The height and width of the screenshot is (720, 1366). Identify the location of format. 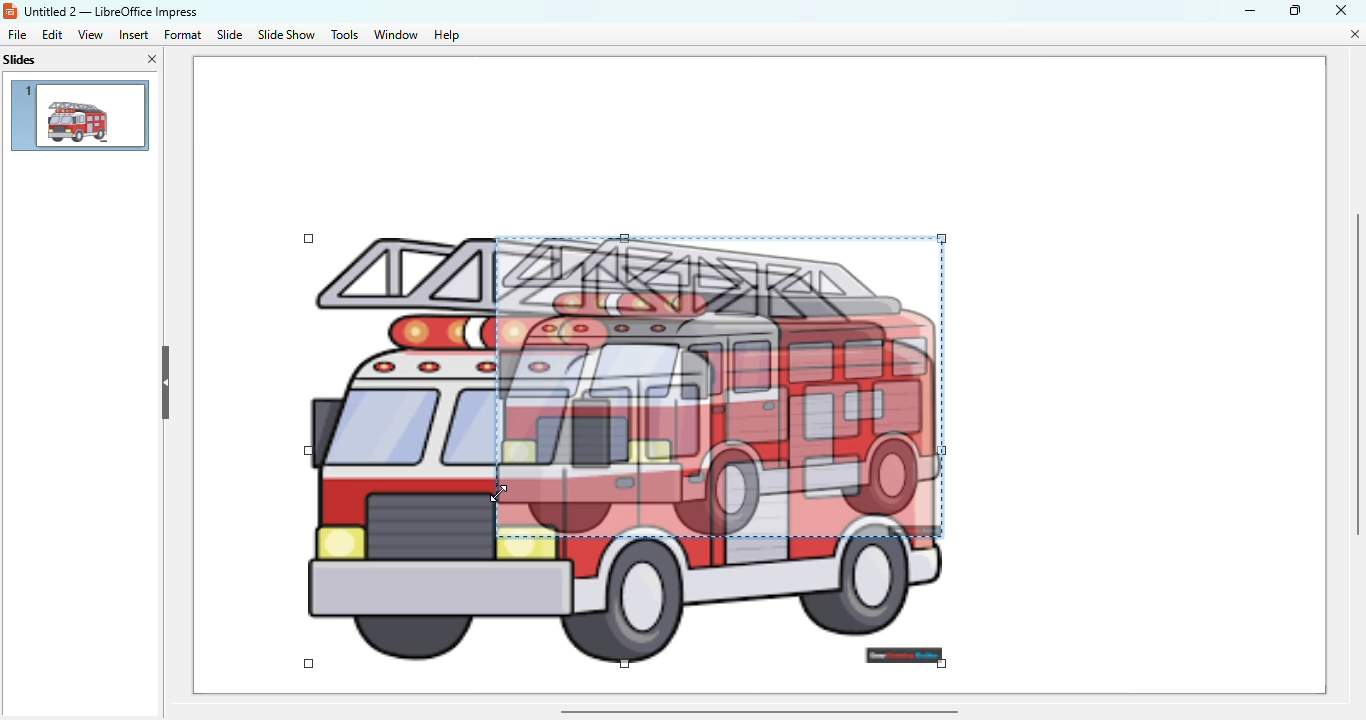
(182, 34).